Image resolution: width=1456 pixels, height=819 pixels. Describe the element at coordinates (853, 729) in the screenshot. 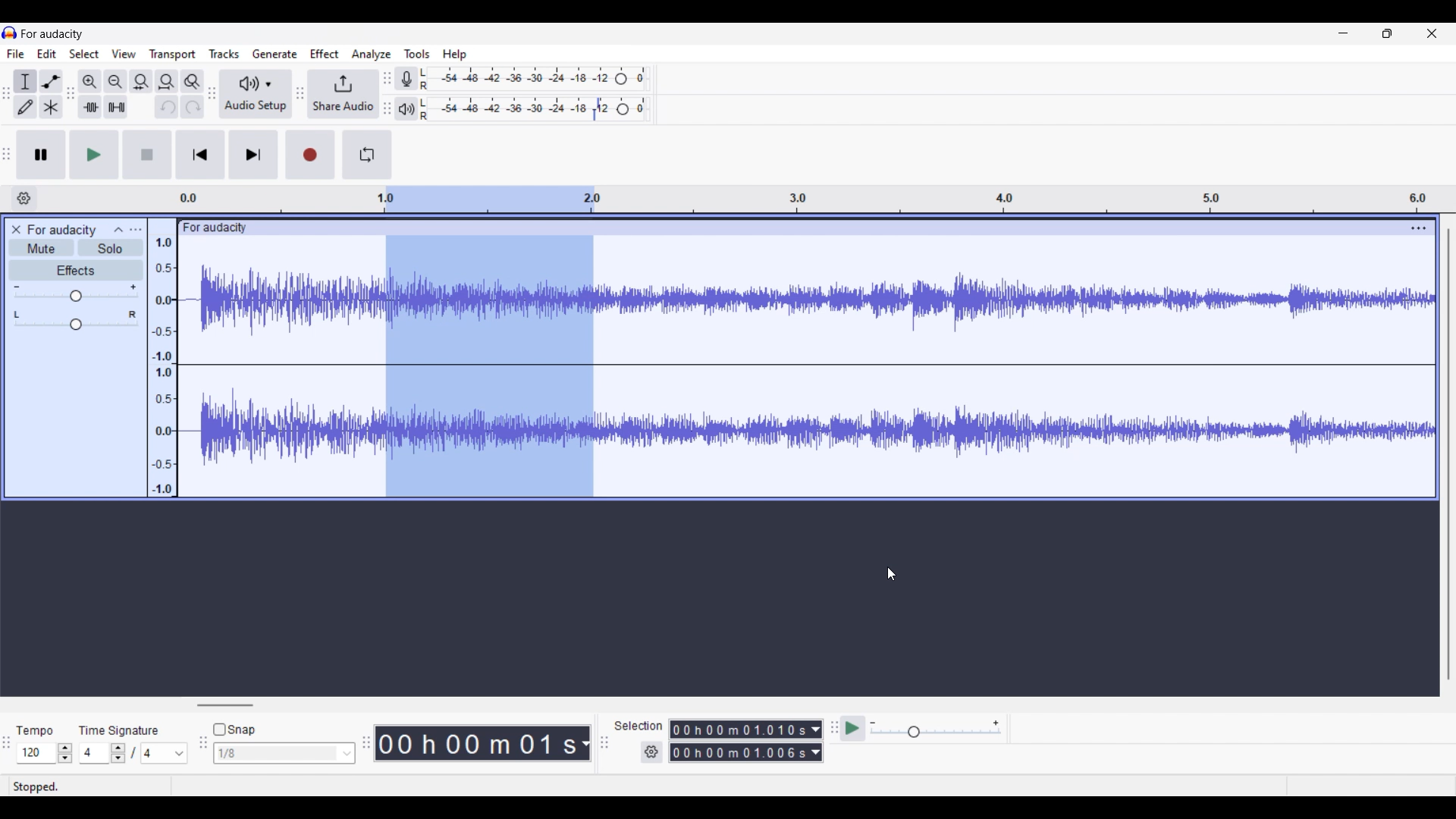

I see `Play at speed once/Play at speed` at that location.